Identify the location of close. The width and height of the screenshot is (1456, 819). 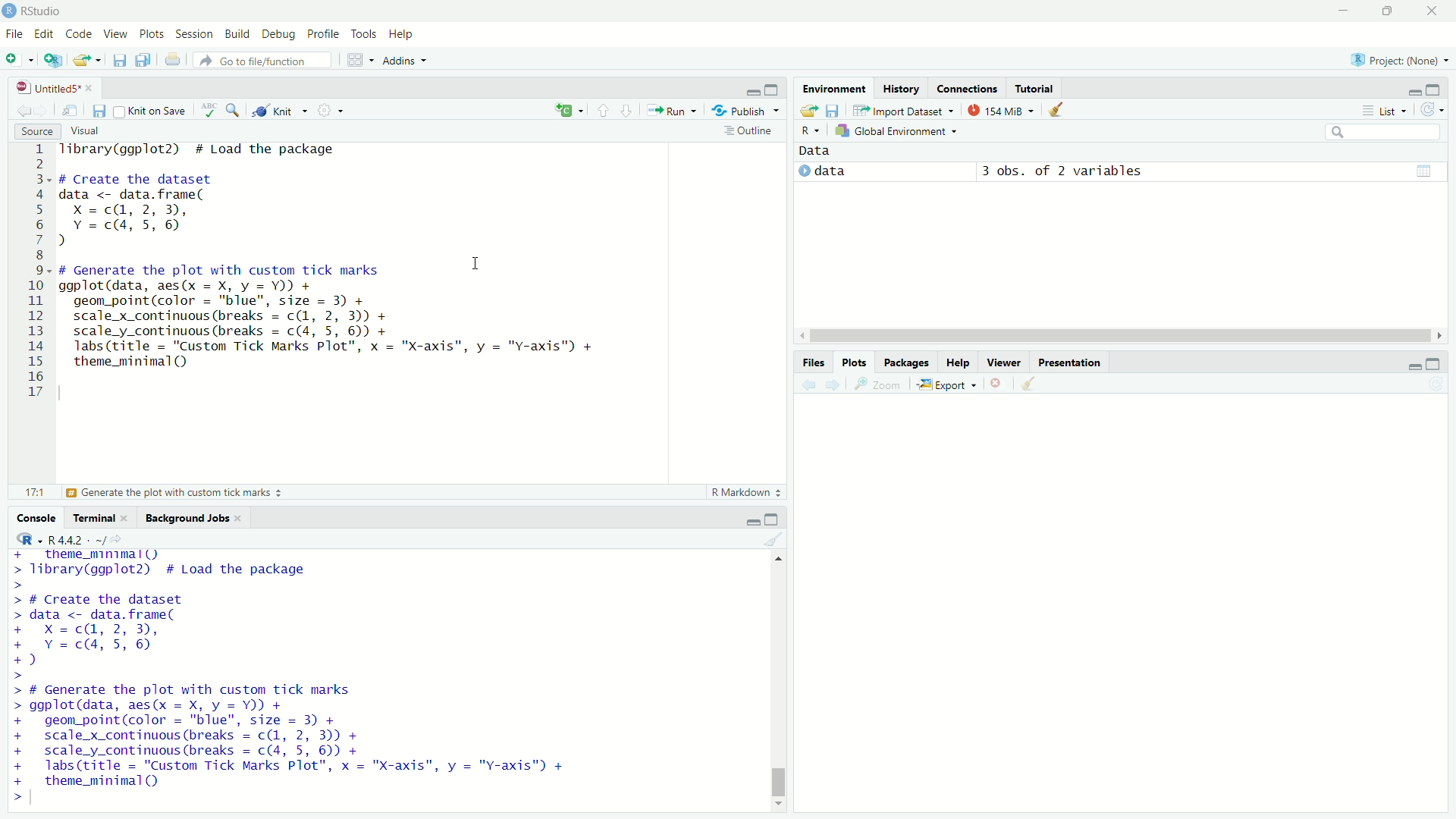
(130, 518).